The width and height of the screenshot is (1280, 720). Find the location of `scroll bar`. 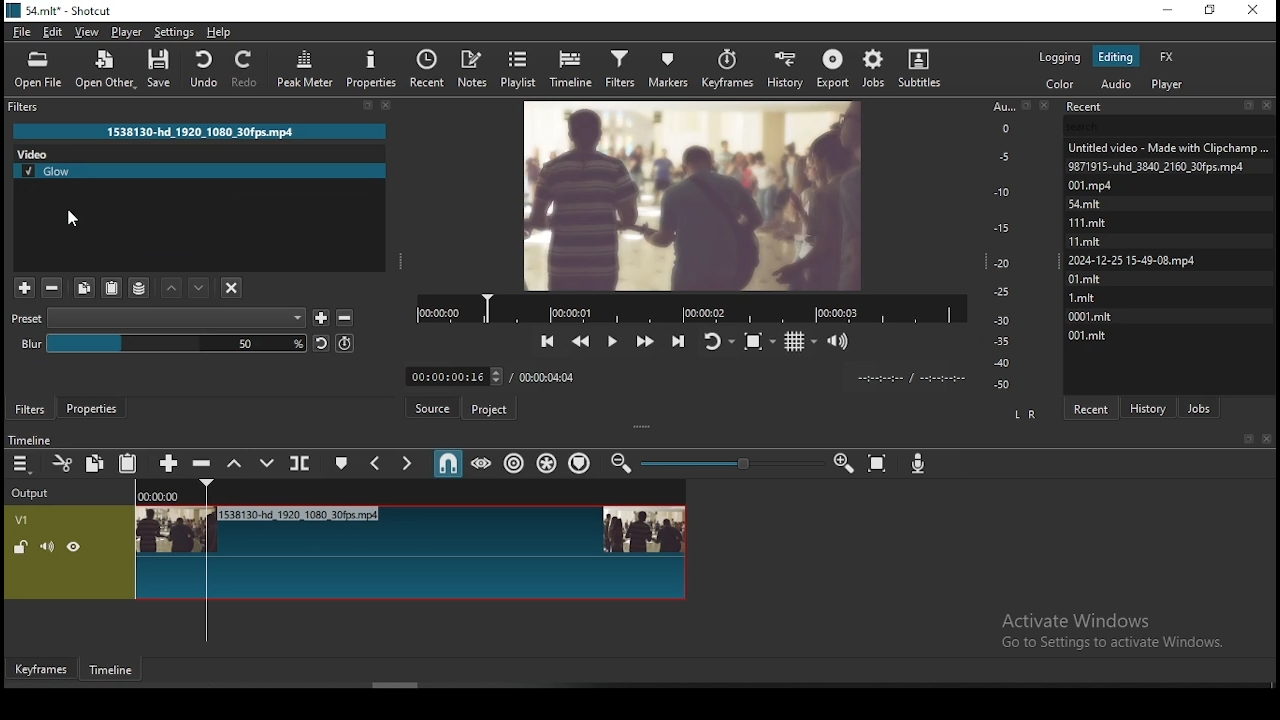

scroll bar is located at coordinates (398, 685).